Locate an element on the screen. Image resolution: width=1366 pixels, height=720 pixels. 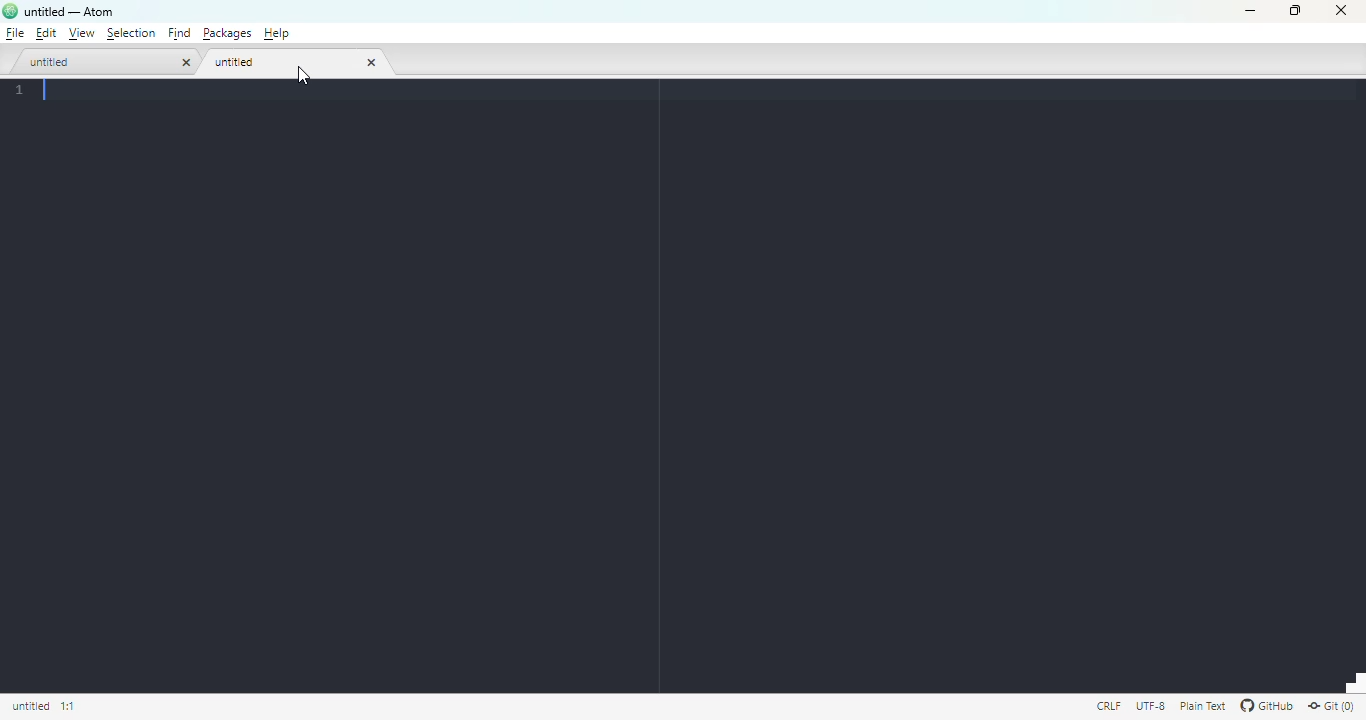
help is located at coordinates (277, 34).